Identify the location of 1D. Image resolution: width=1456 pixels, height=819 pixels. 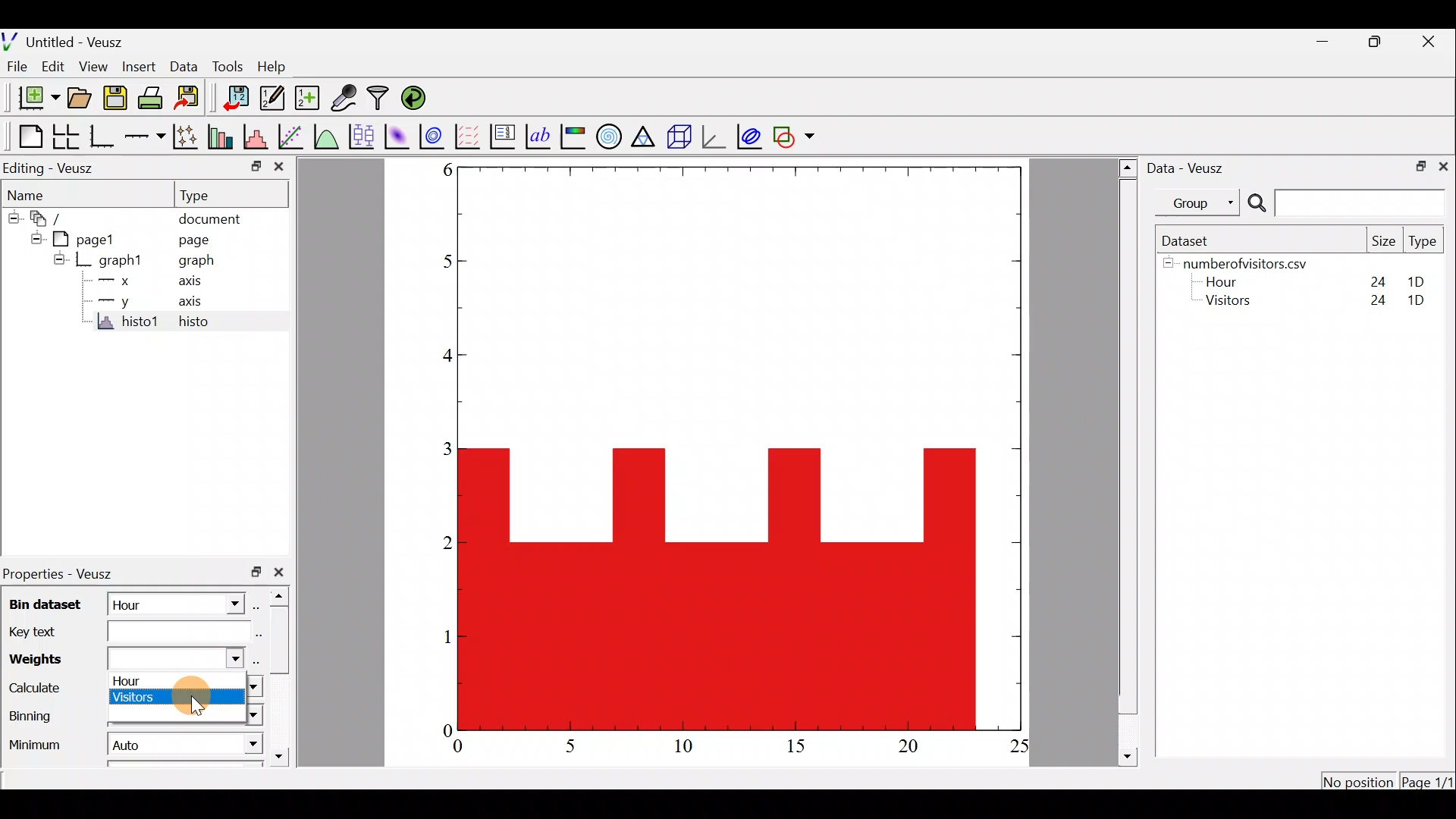
(1421, 300).